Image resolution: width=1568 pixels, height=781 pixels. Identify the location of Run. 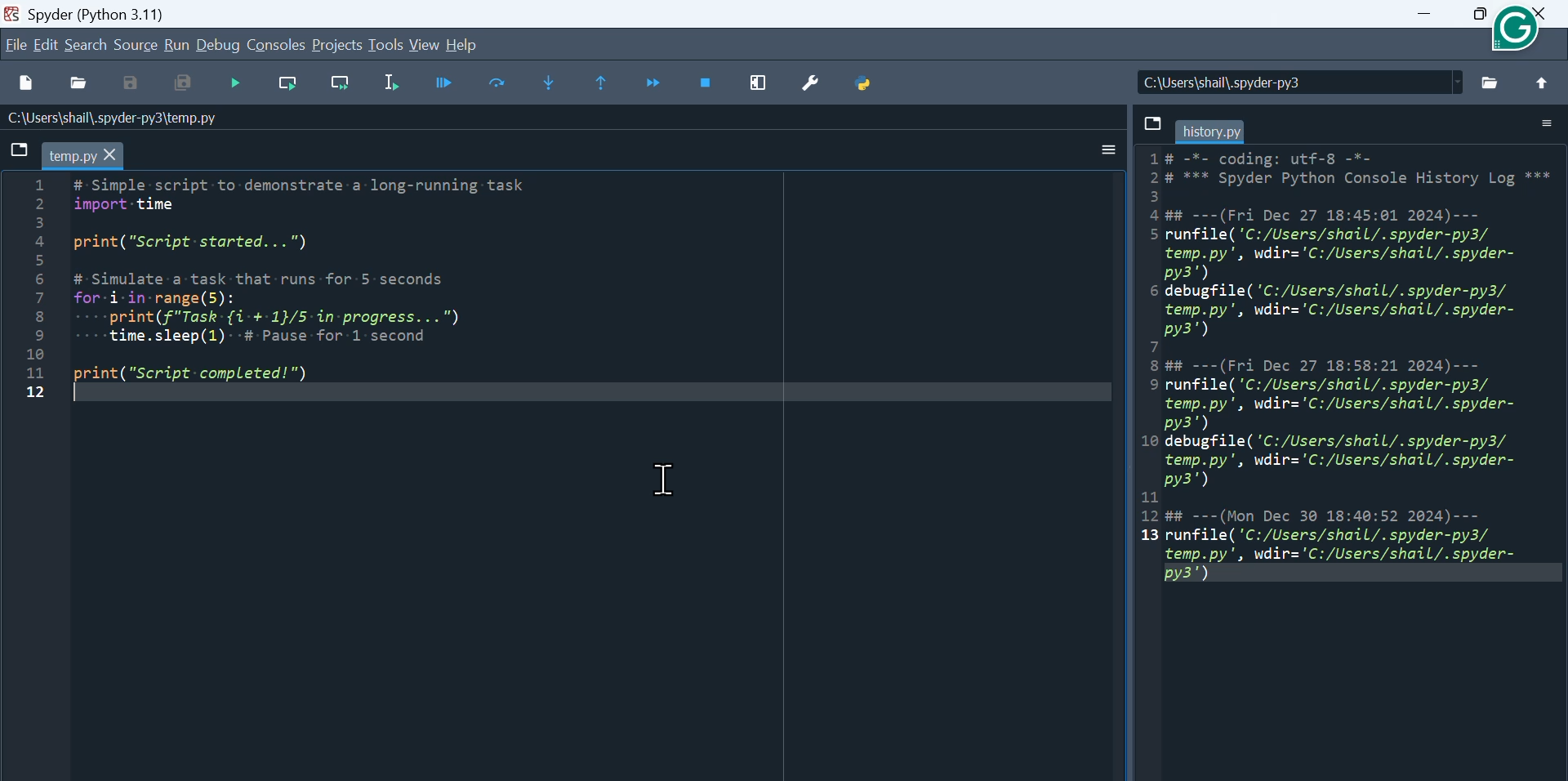
(177, 45).